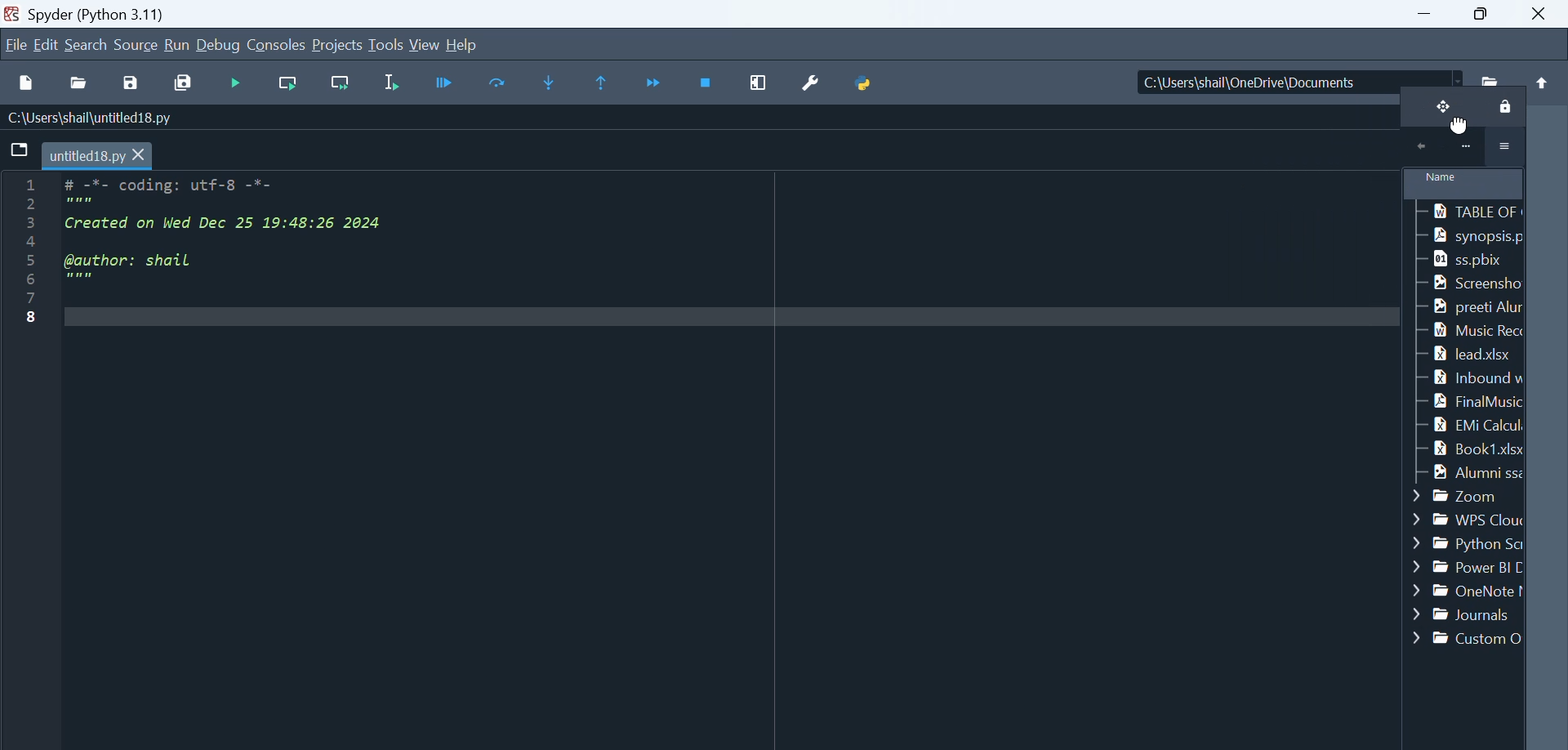 The width and height of the screenshot is (1568, 750). What do you see at coordinates (144, 13) in the screenshot?
I see `Spyder (Python 3.11)` at bounding box center [144, 13].